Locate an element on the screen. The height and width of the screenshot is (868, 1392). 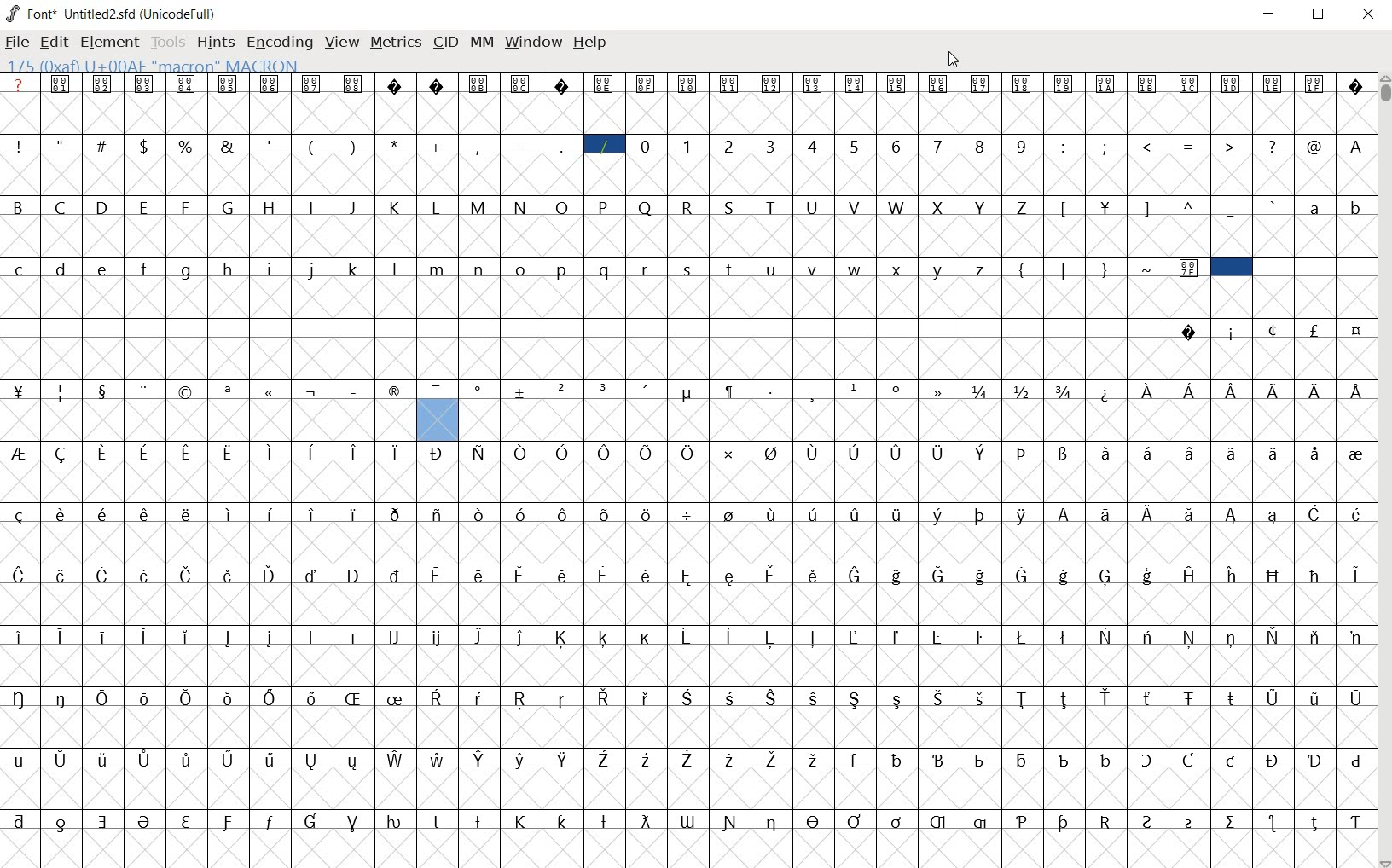
Symbol is located at coordinates (64, 698).